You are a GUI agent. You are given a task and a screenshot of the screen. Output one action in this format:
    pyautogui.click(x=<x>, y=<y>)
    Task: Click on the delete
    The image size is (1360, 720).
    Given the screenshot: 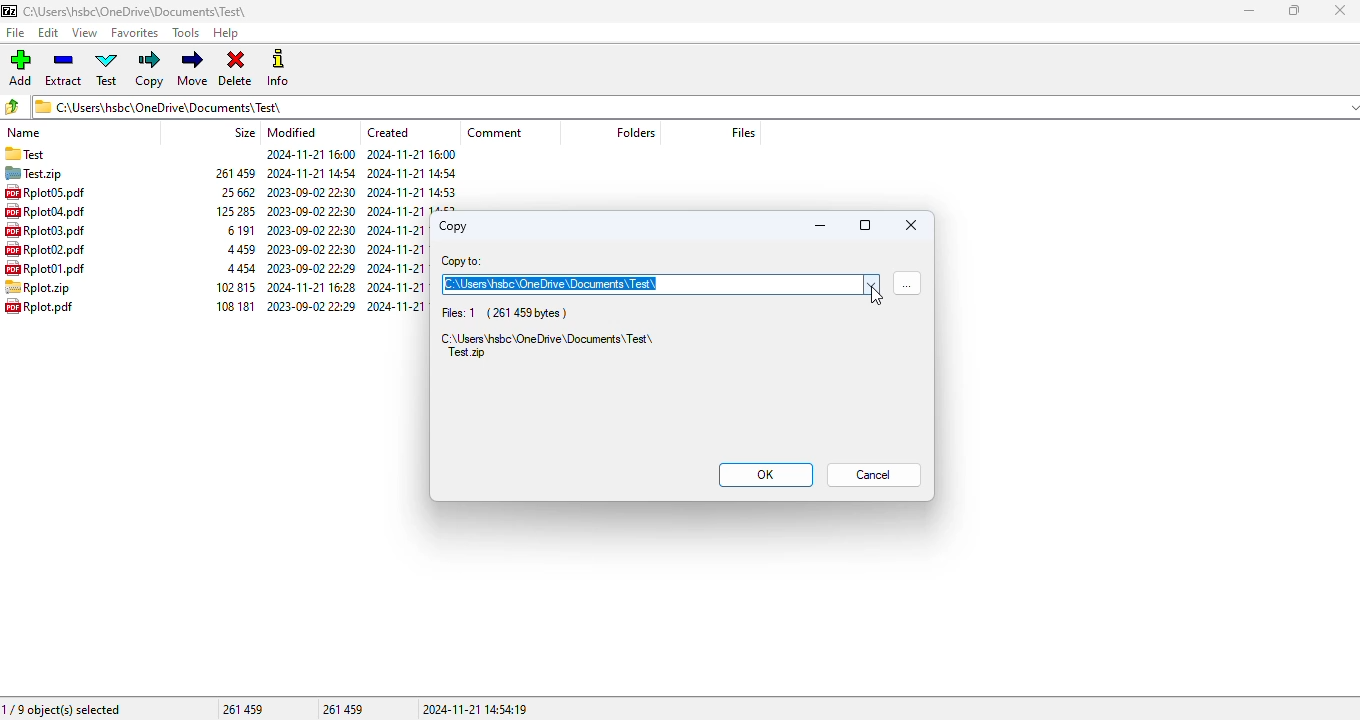 What is the action you would take?
    pyautogui.click(x=236, y=69)
    